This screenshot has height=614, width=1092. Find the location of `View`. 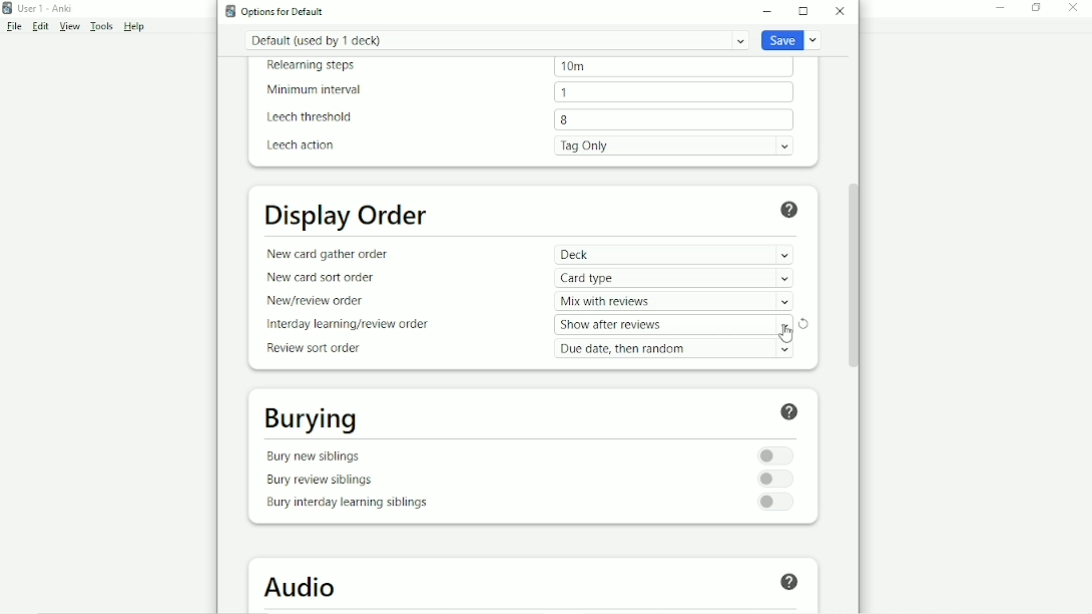

View is located at coordinates (69, 27).